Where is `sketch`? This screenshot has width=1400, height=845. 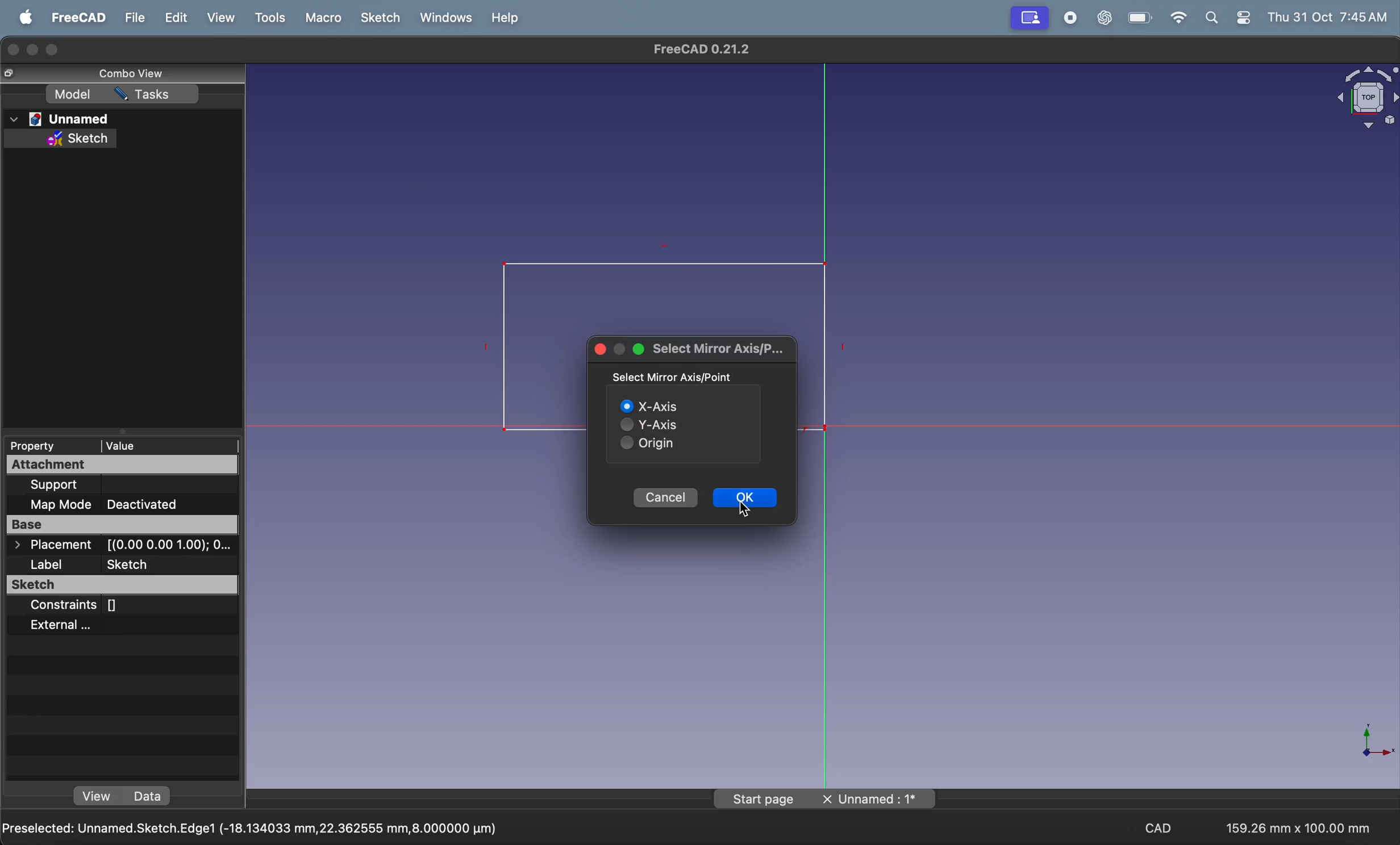 sketch is located at coordinates (380, 19).